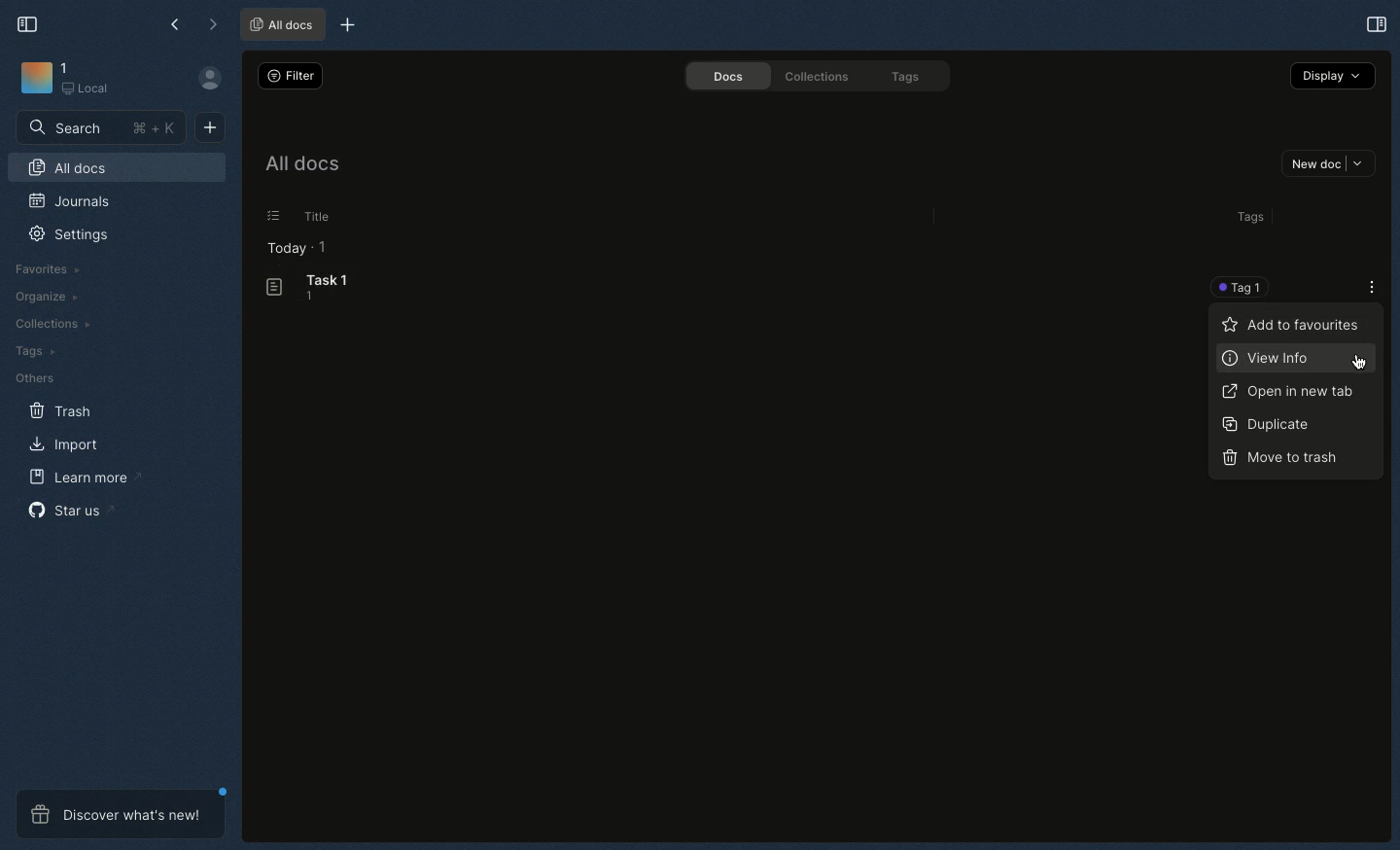 The image size is (1400, 850). What do you see at coordinates (1284, 460) in the screenshot?
I see `Move to trash` at bounding box center [1284, 460].